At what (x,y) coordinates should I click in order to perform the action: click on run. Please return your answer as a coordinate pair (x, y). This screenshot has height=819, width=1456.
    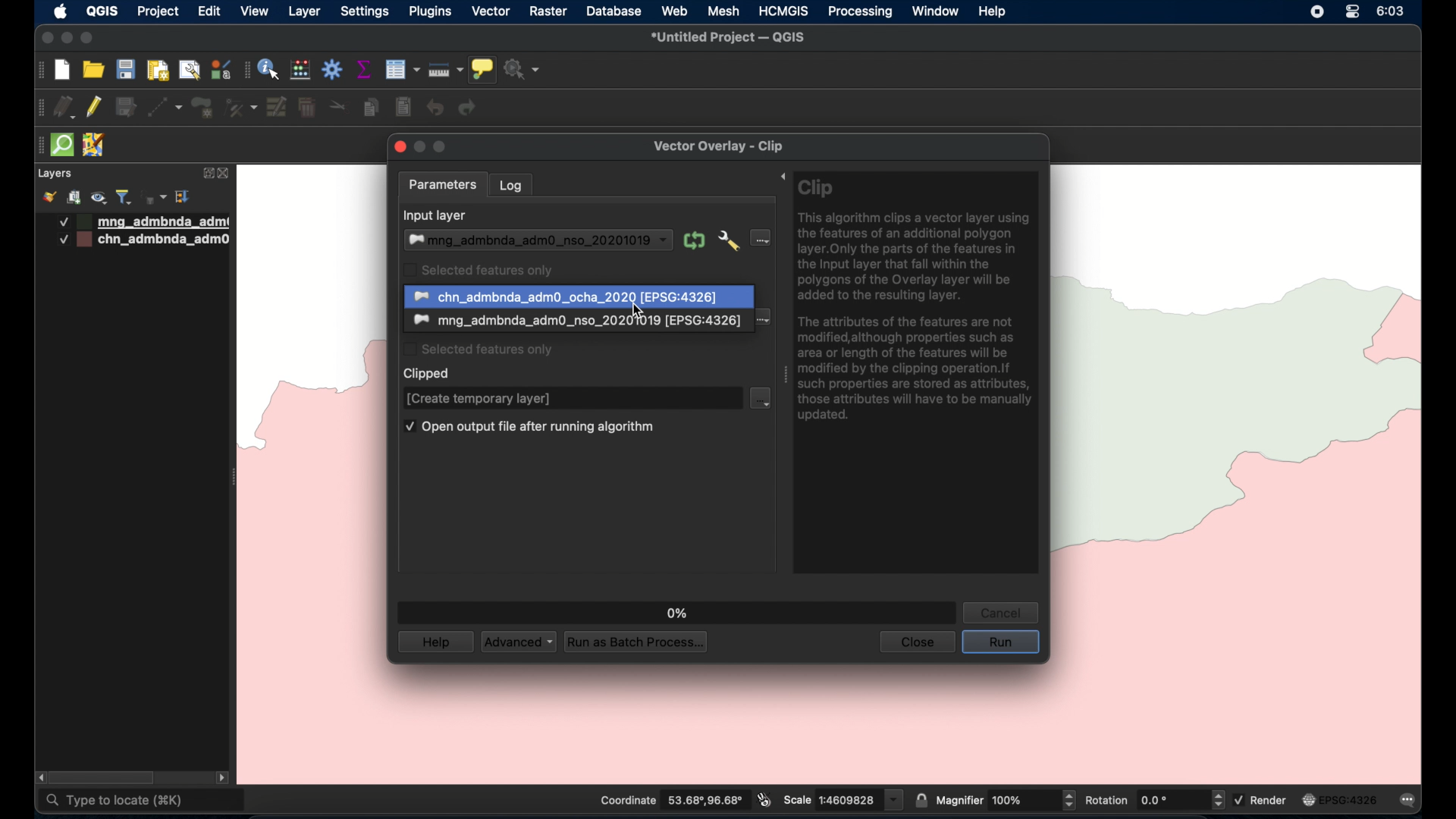
    Looking at the image, I should click on (1001, 643).